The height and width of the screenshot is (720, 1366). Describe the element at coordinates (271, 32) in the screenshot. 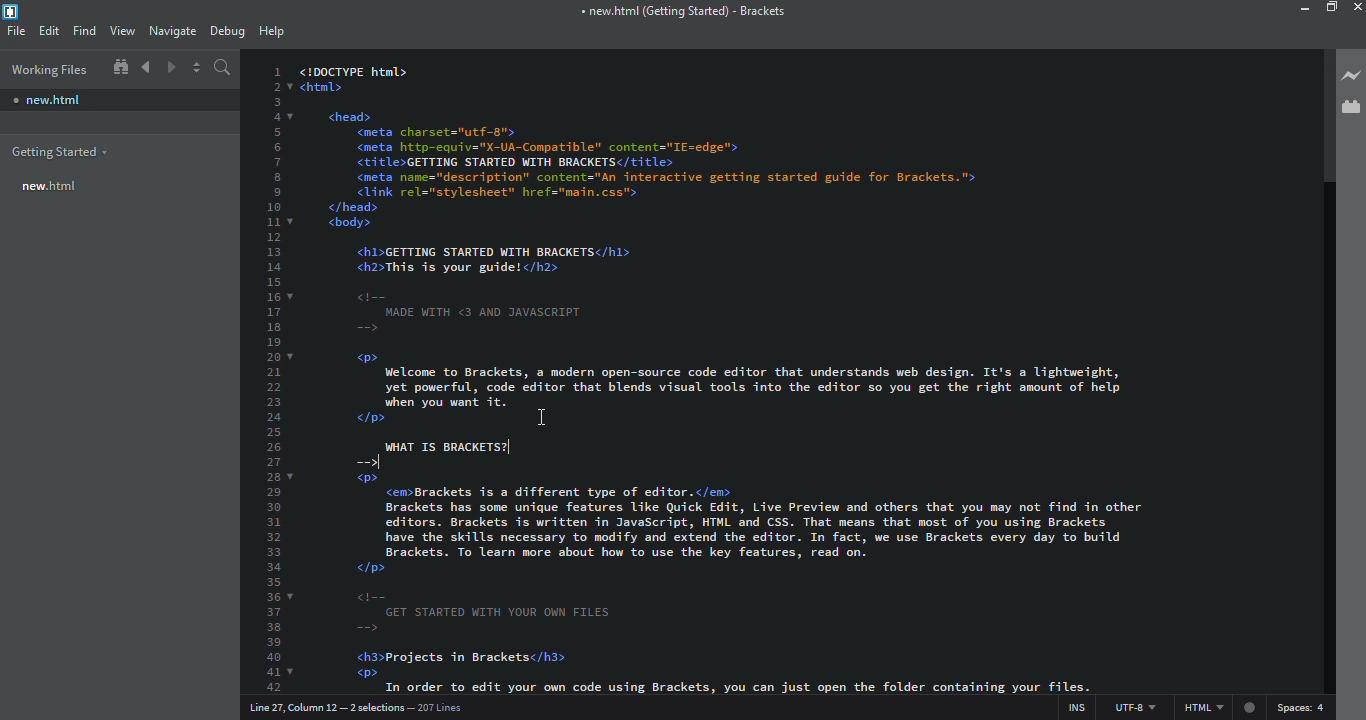

I see `help` at that location.